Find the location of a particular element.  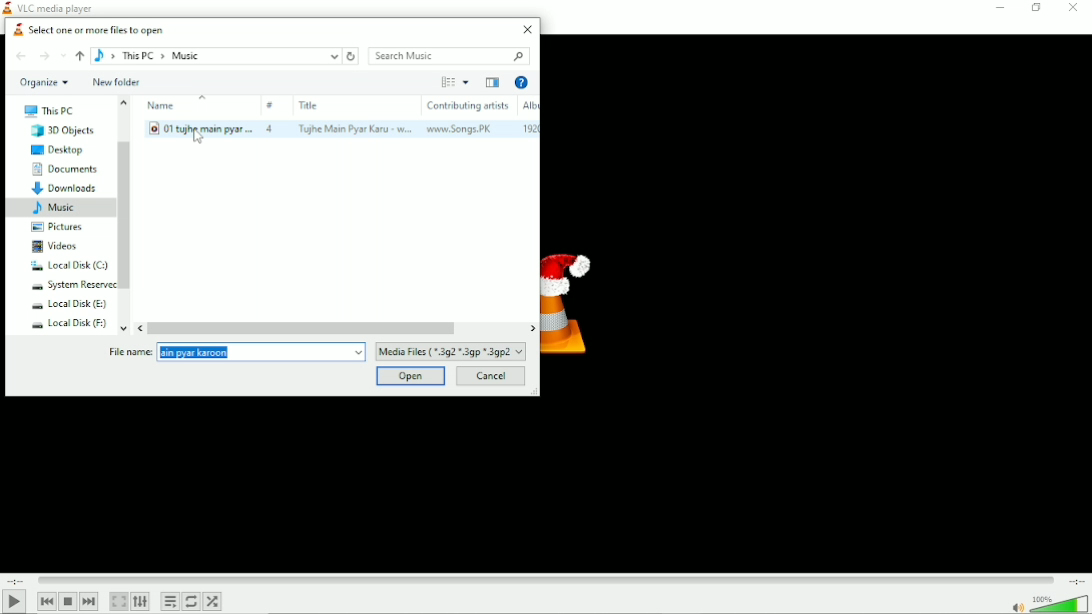

Play is located at coordinates (14, 602).